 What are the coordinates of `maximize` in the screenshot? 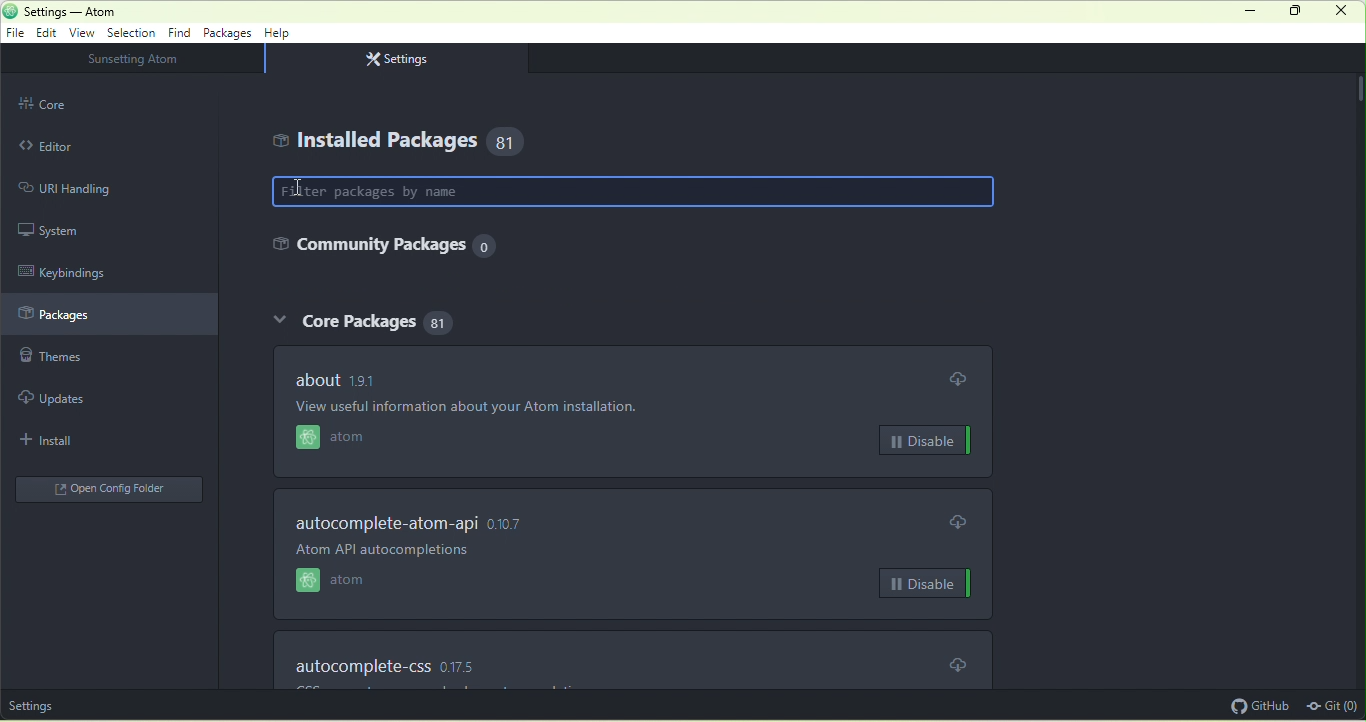 It's located at (1301, 13).